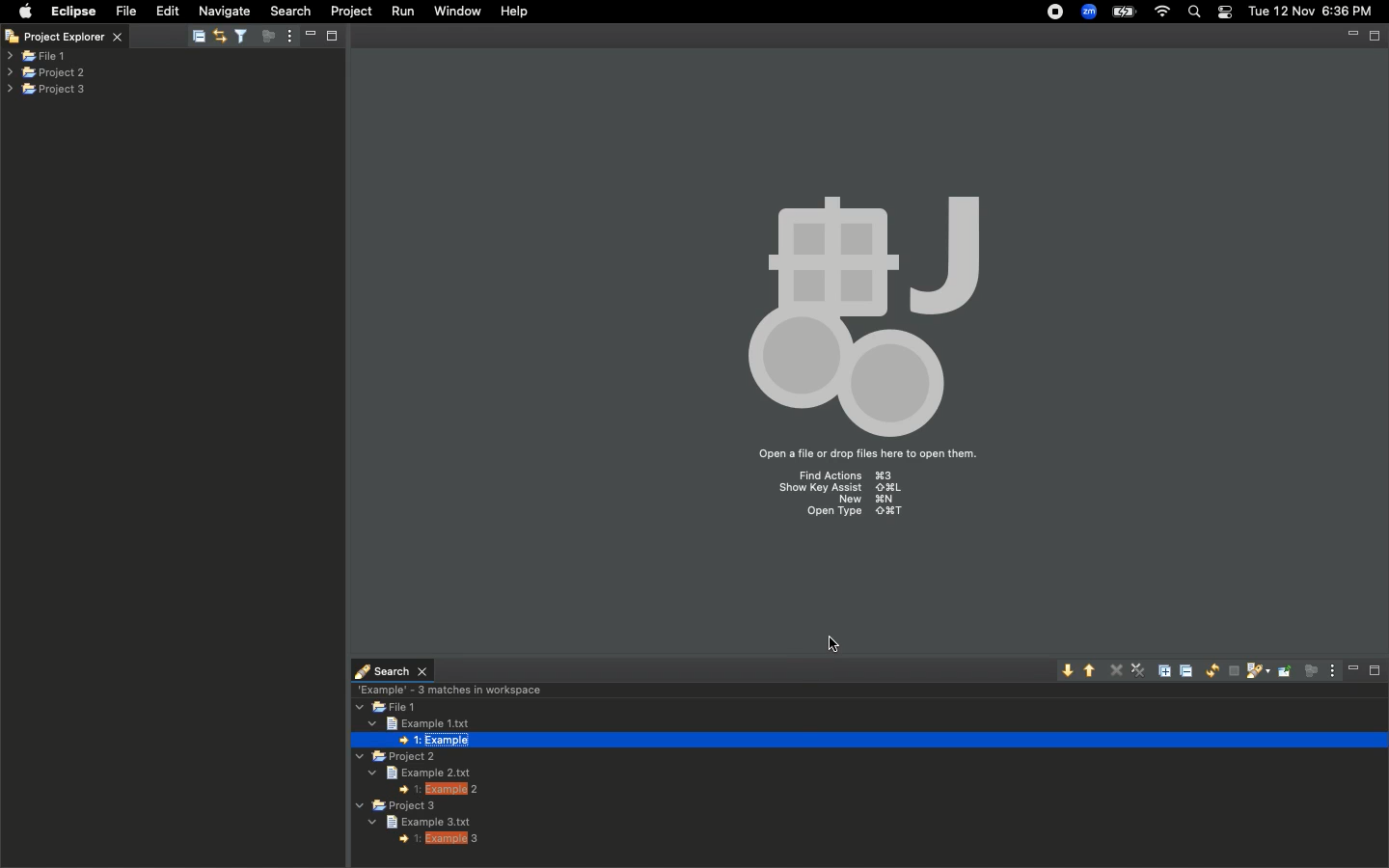 This screenshot has width=1389, height=868. Describe the element at coordinates (1065, 667) in the screenshot. I see `show next match` at that location.